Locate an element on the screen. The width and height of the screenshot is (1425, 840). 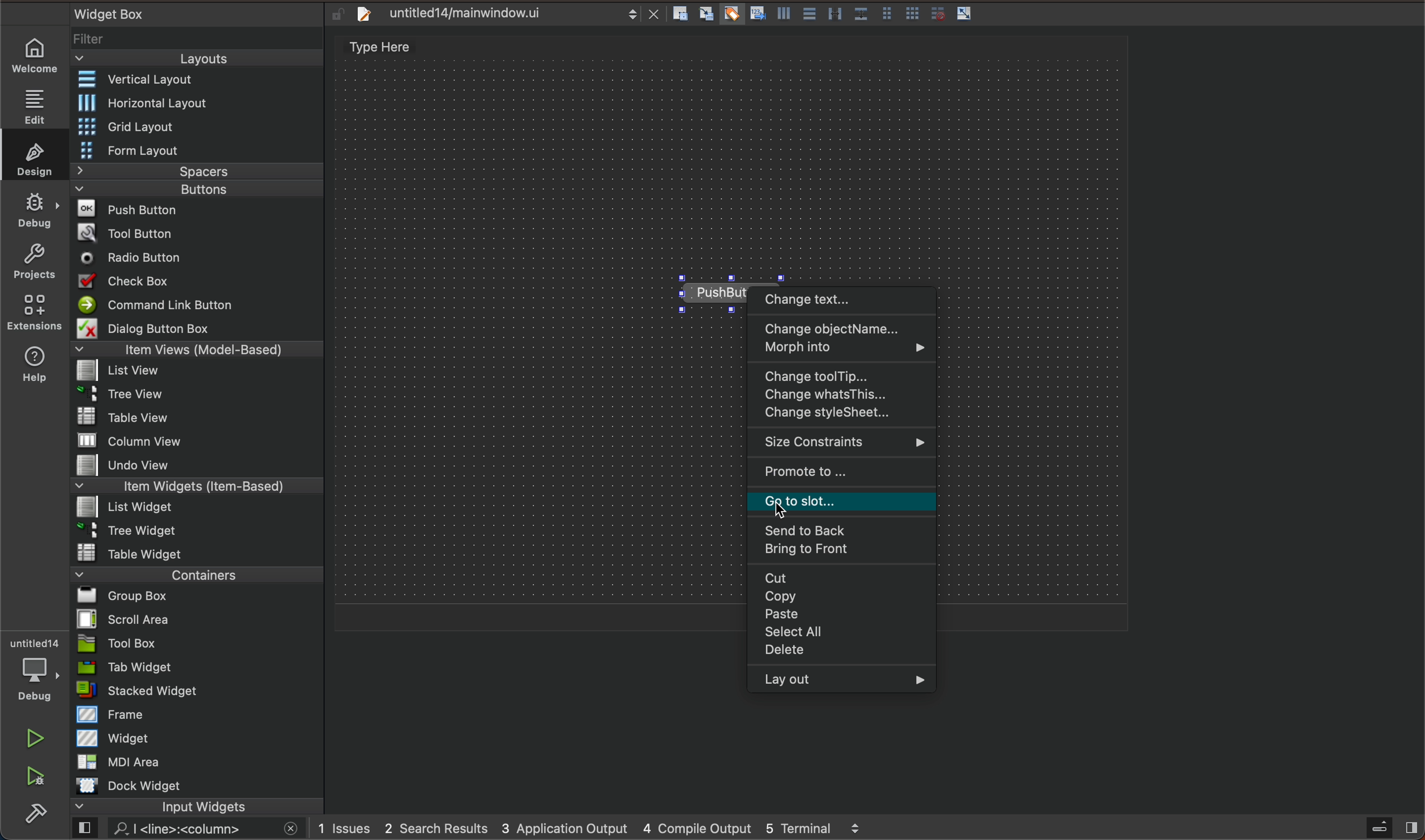
table view is located at coordinates (204, 418).